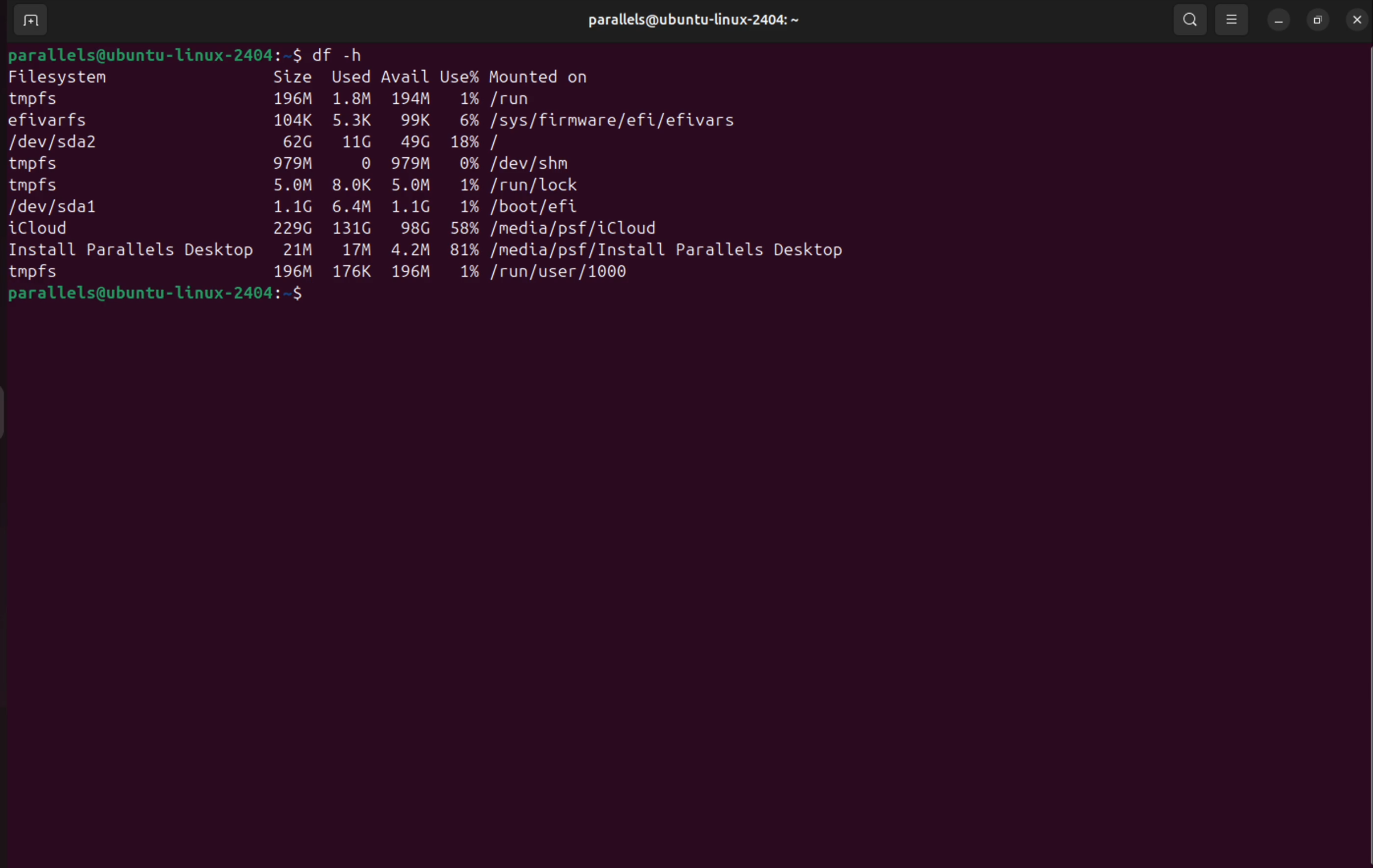 The height and width of the screenshot is (868, 1373). Describe the element at coordinates (465, 230) in the screenshot. I see `58%` at that location.